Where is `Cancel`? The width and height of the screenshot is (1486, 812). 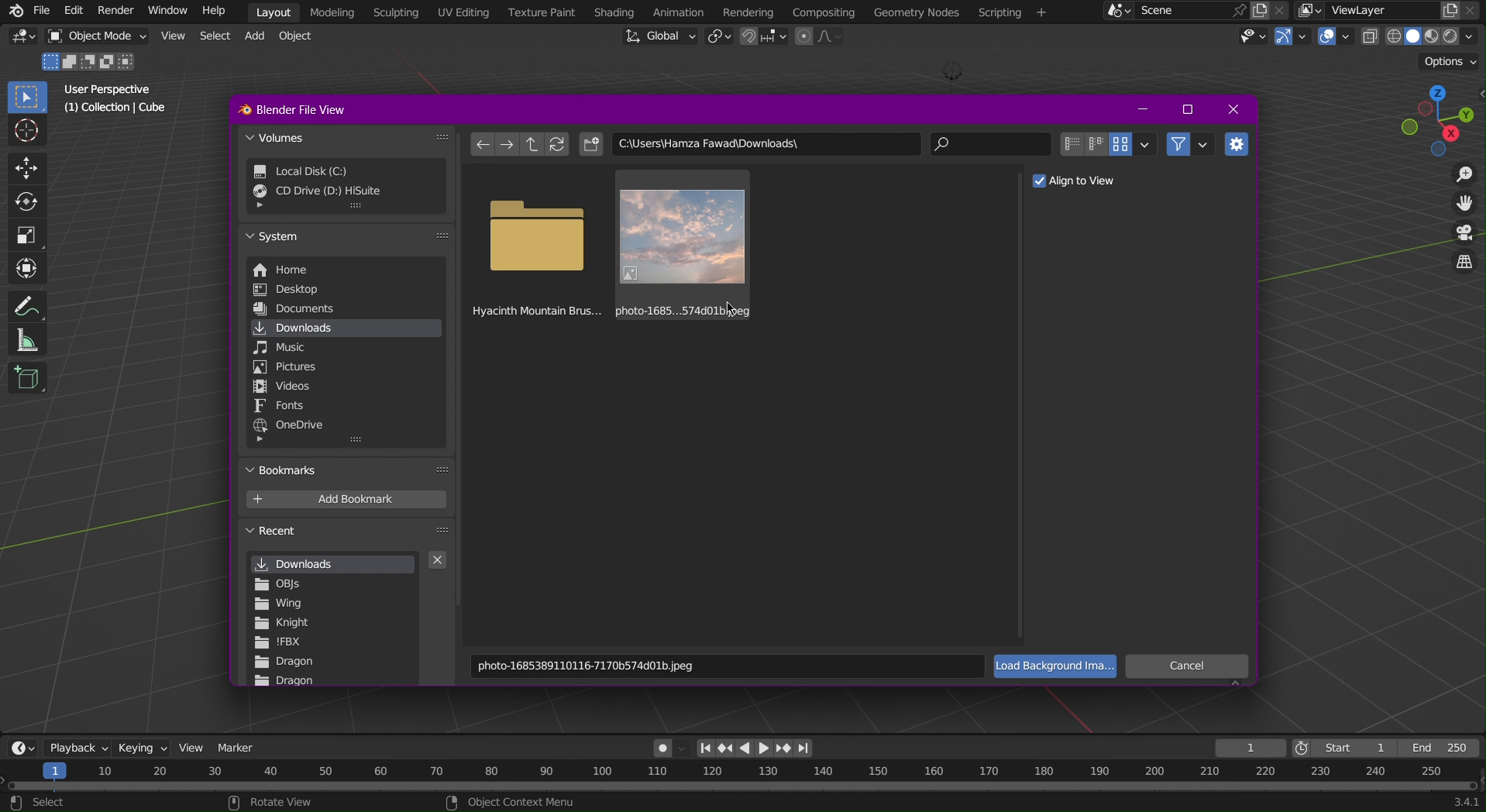
Cancel is located at coordinates (1189, 667).